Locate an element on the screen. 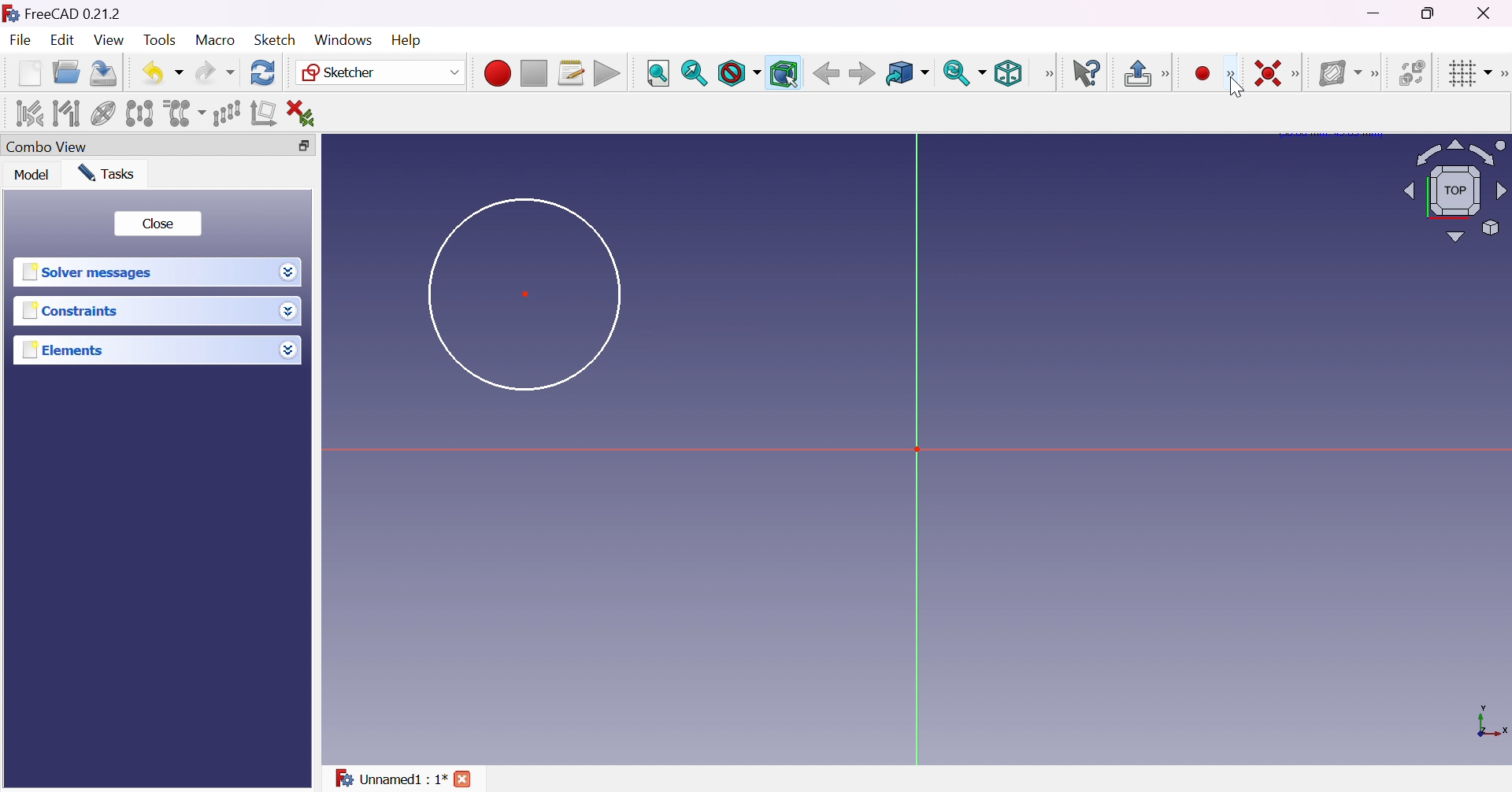 The height and width of the screenshot is (792, 1512). Leave sketch is located at coordinates (1147, 73).